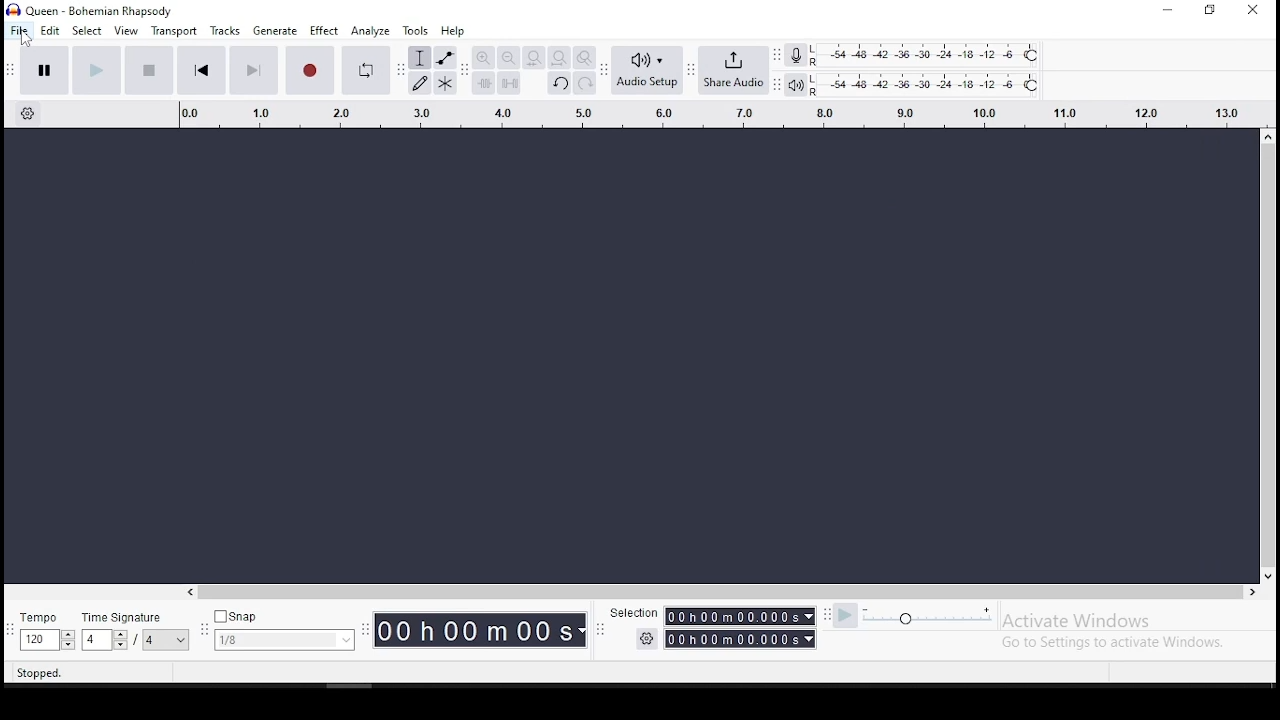  I want to click on restore, so click(1212, 9).